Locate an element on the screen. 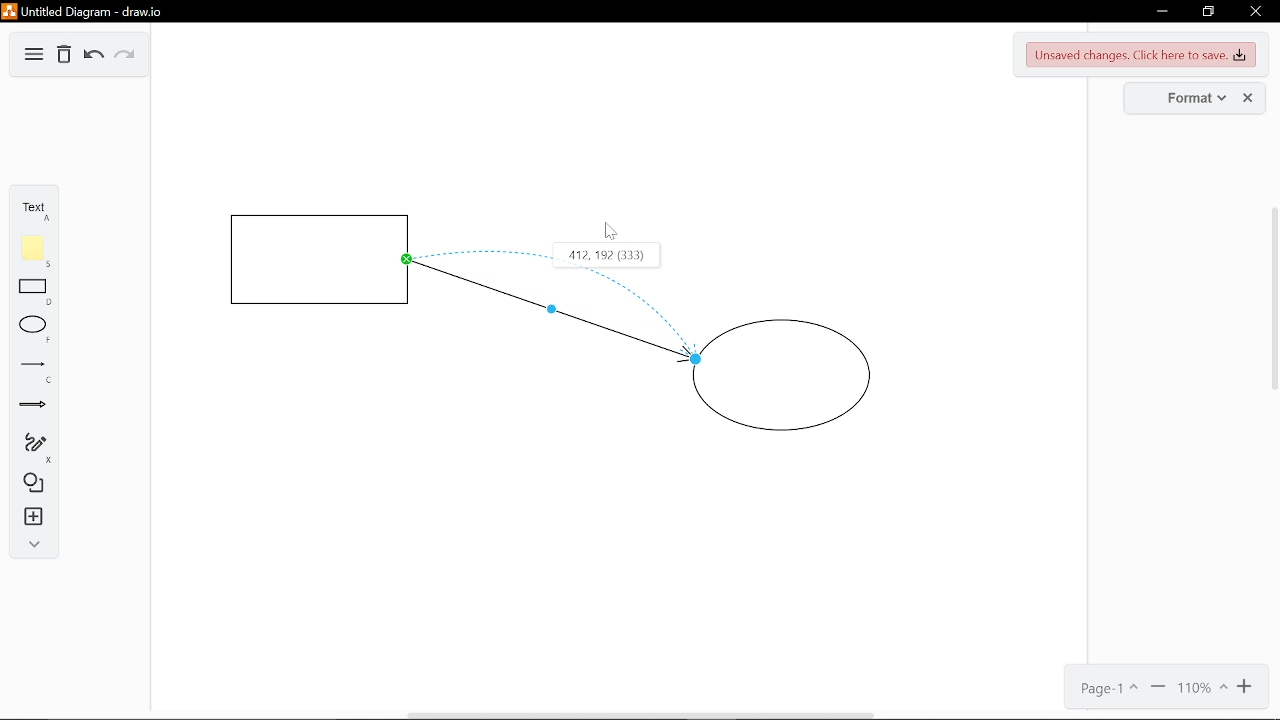  Diagram is located at coordinates (31, 56).